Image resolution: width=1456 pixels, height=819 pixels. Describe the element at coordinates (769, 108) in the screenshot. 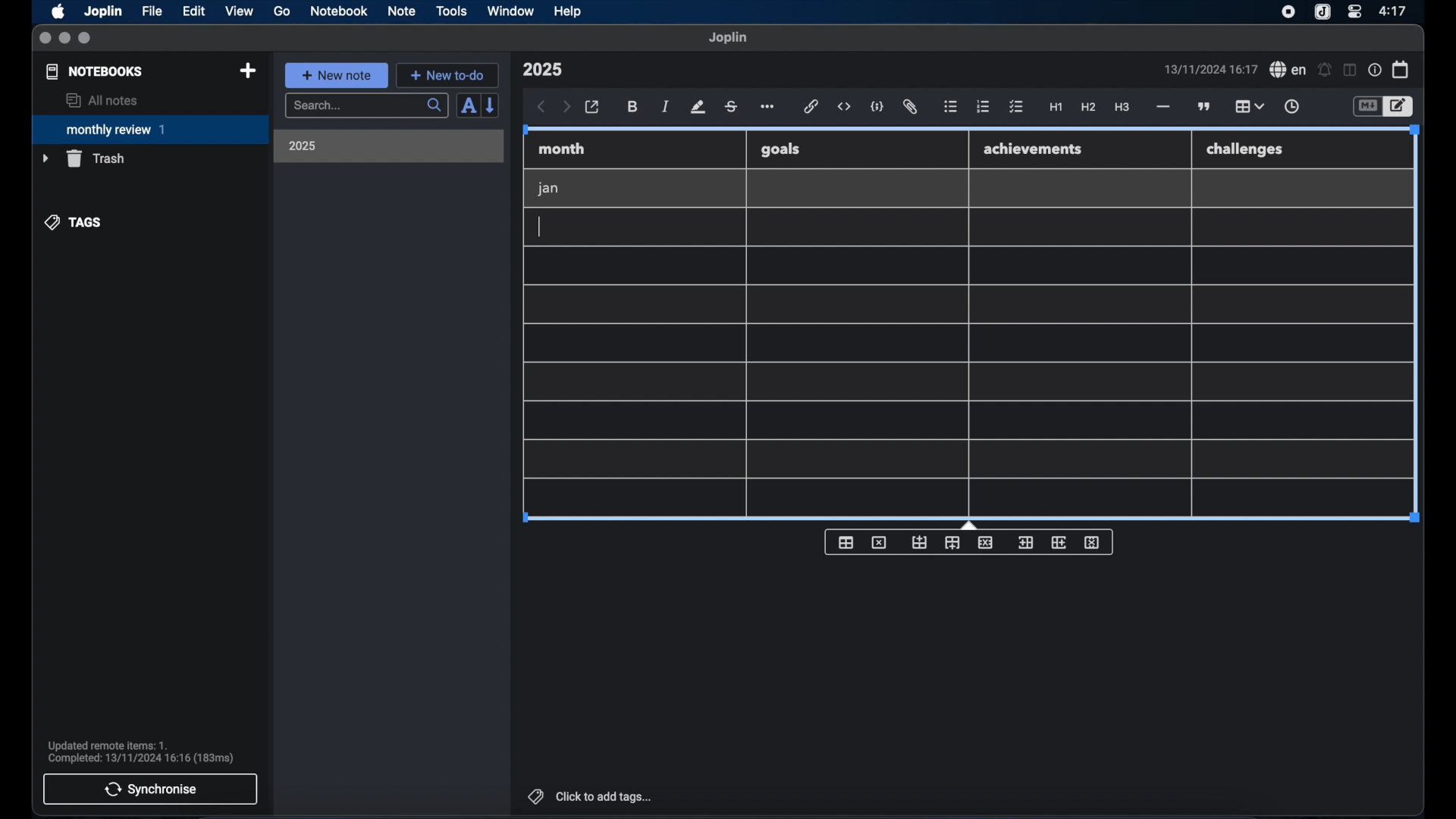

I see `more options` at that location.